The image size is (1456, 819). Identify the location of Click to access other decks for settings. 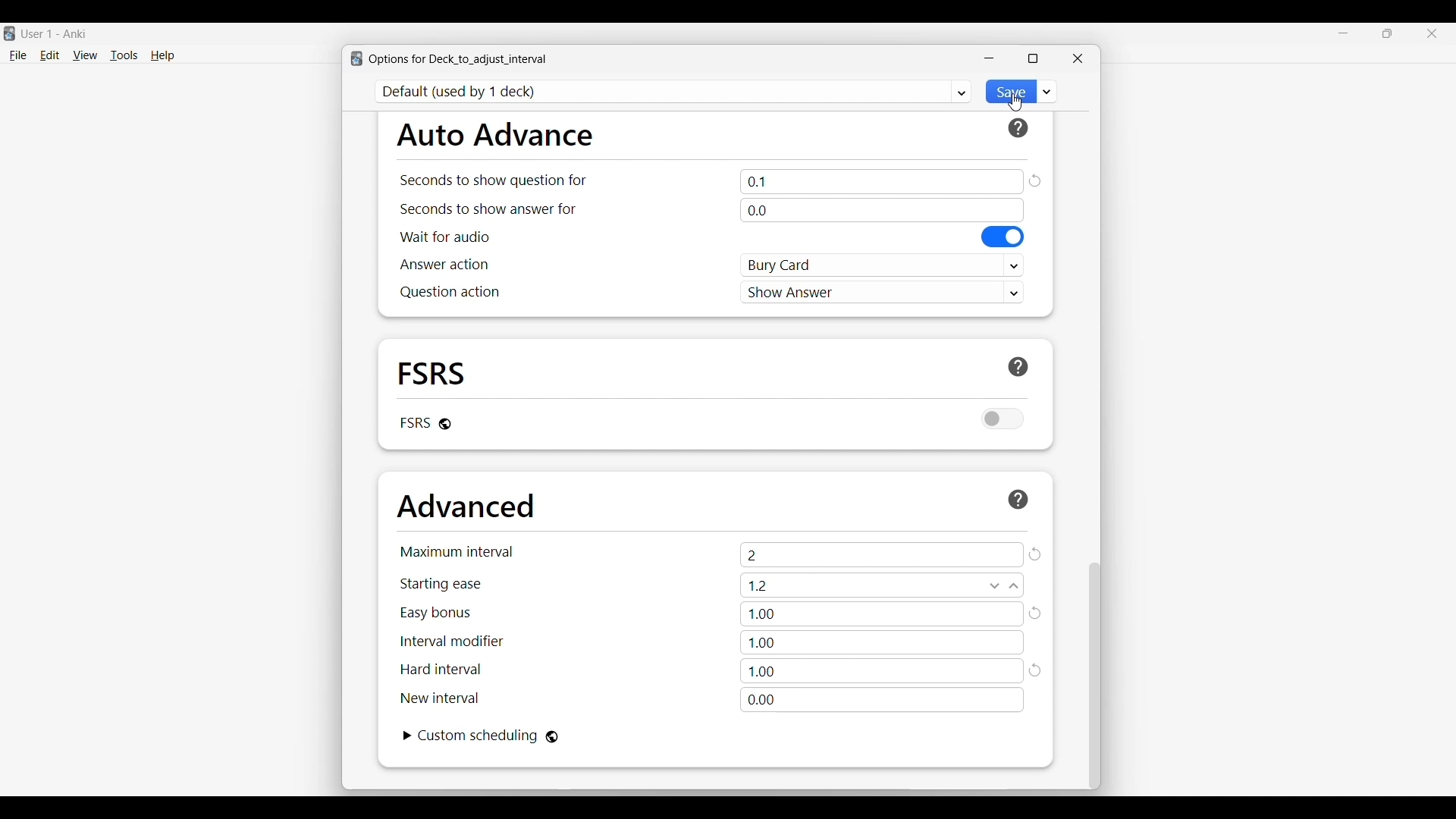
(674, 92).